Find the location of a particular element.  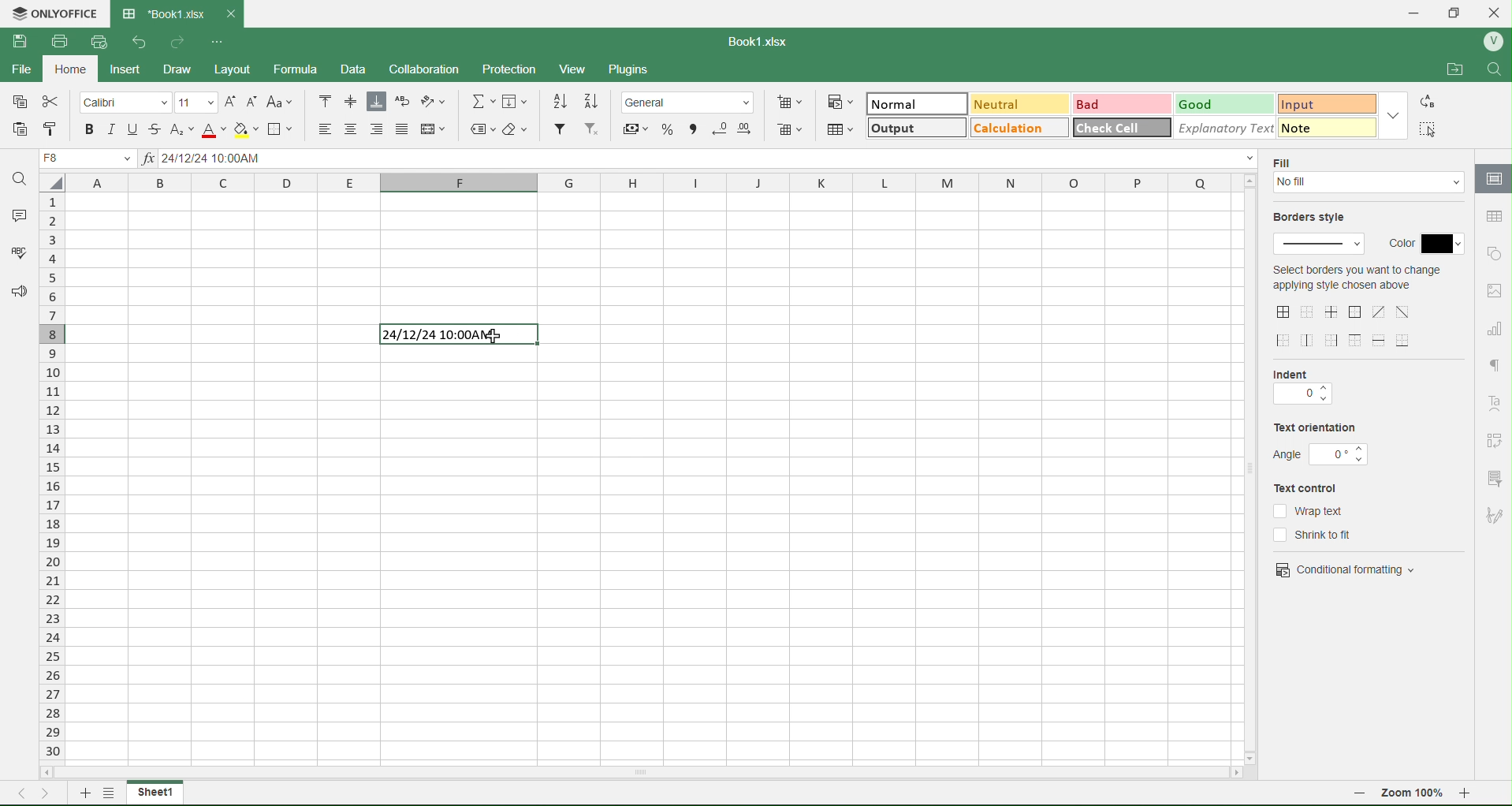

angle is located at coordinates (1322, 454).